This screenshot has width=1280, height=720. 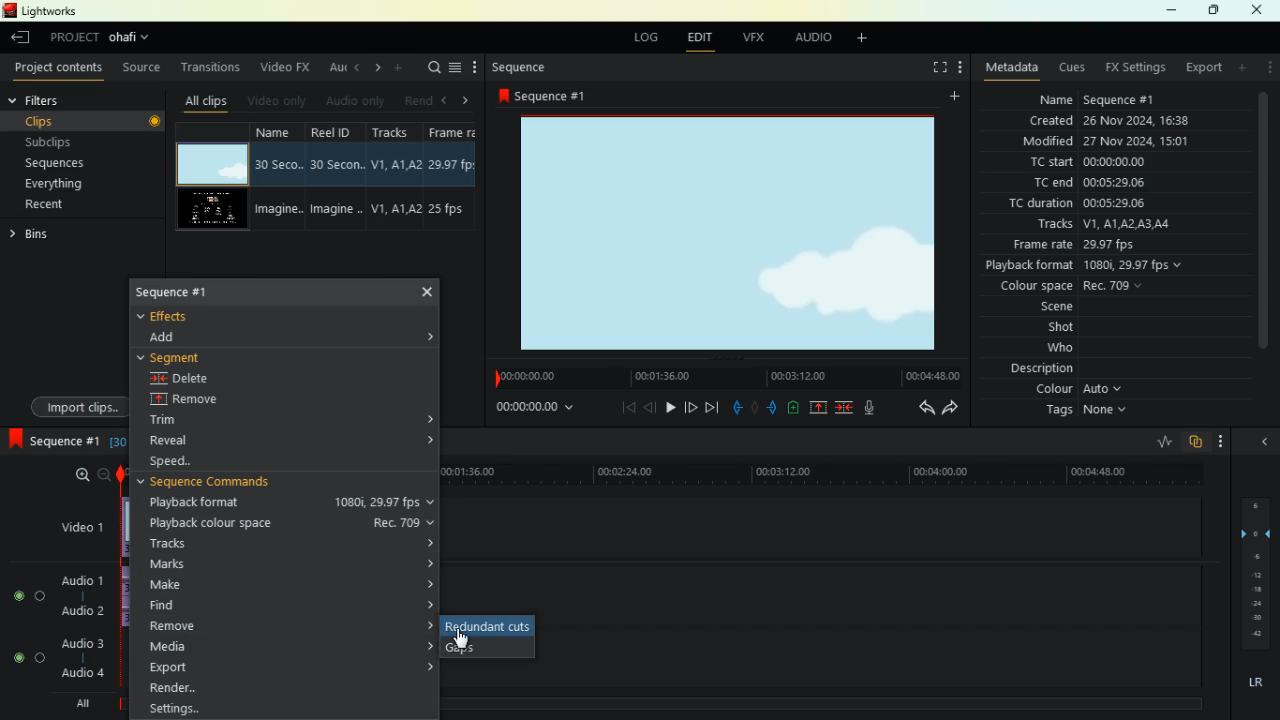 I want to click on sequence, so click(x=548, y=97).